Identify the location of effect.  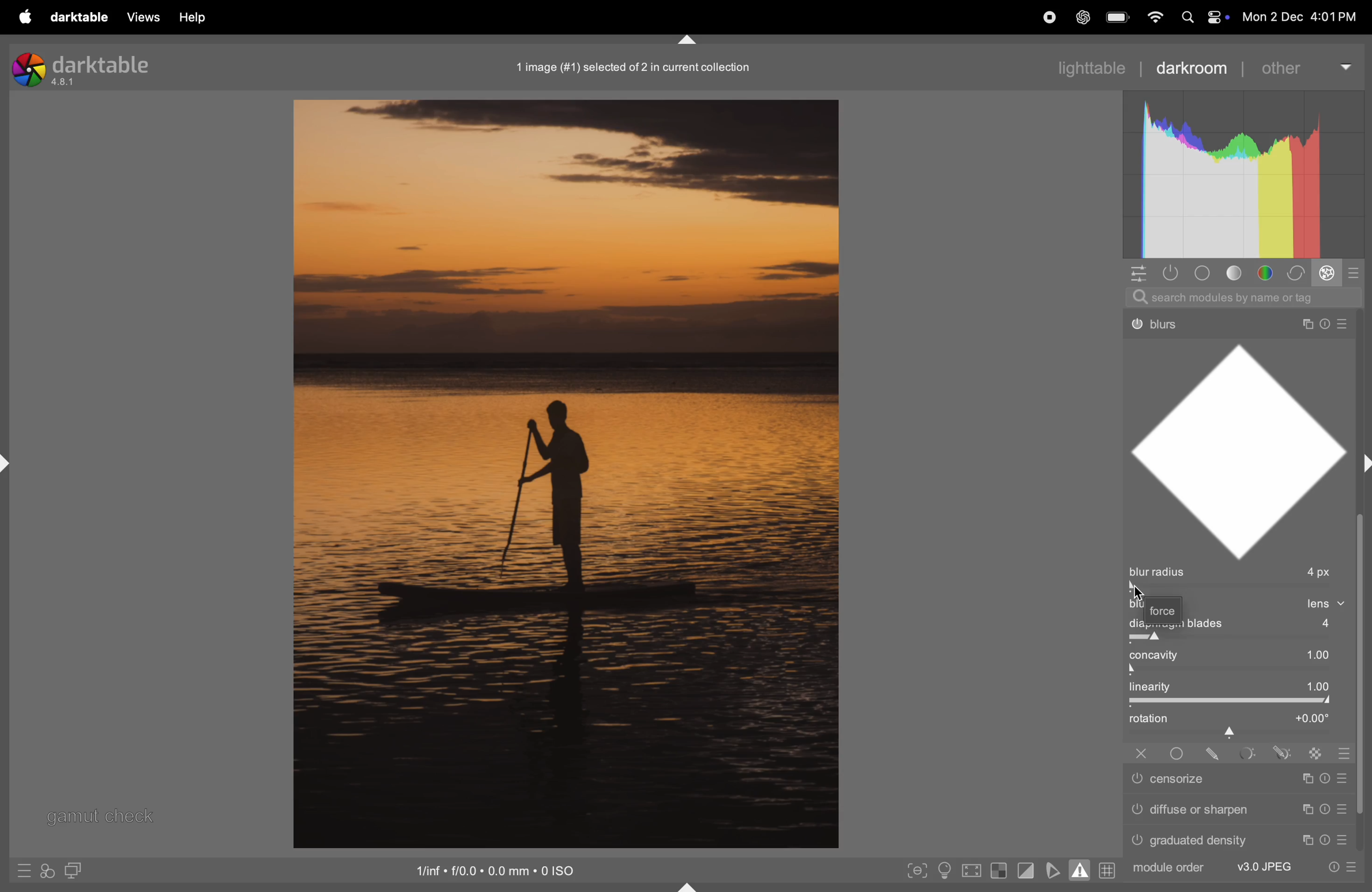
(1329, 273).